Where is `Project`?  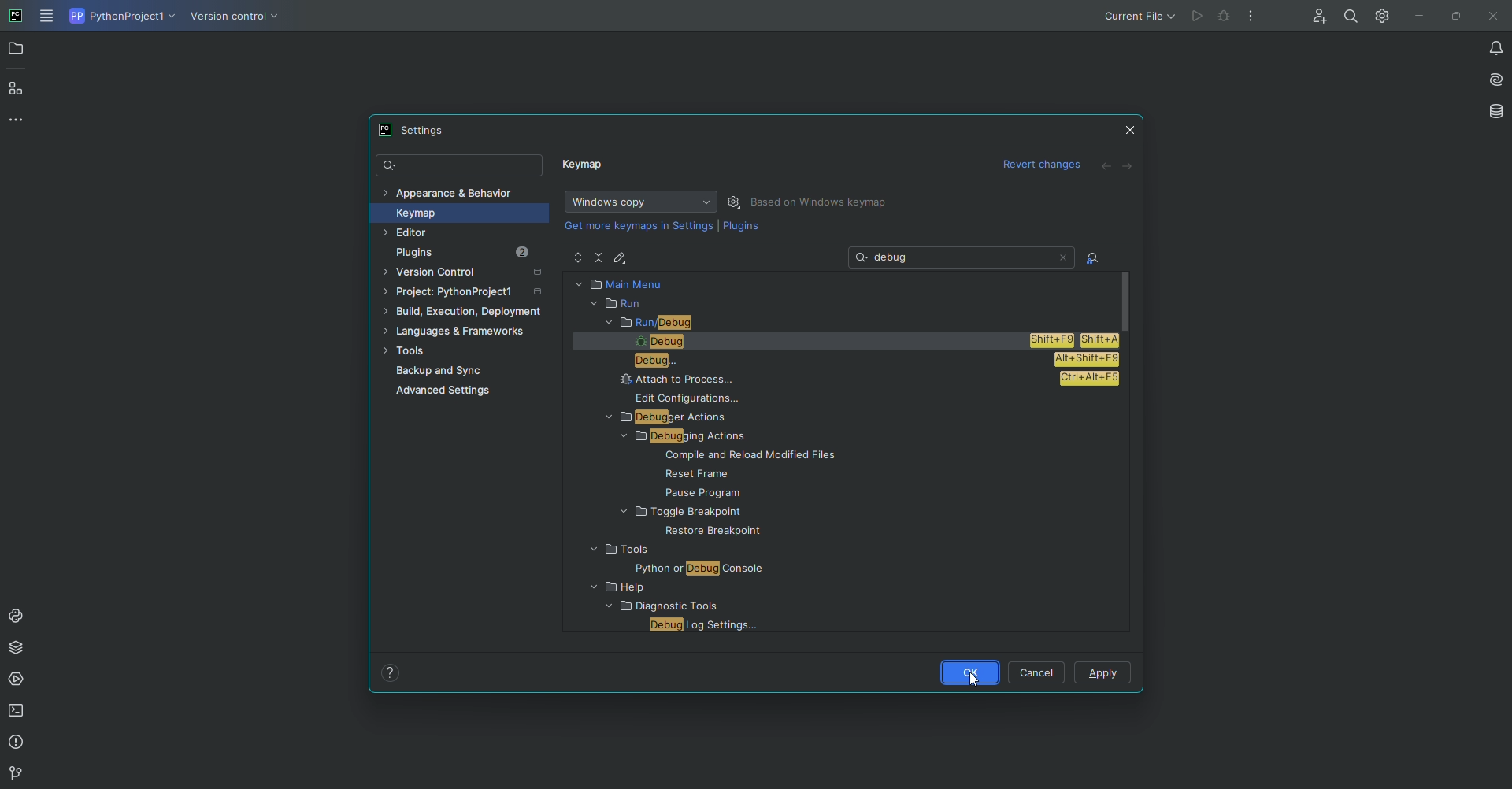
Project is located at coordinates (17, 50).